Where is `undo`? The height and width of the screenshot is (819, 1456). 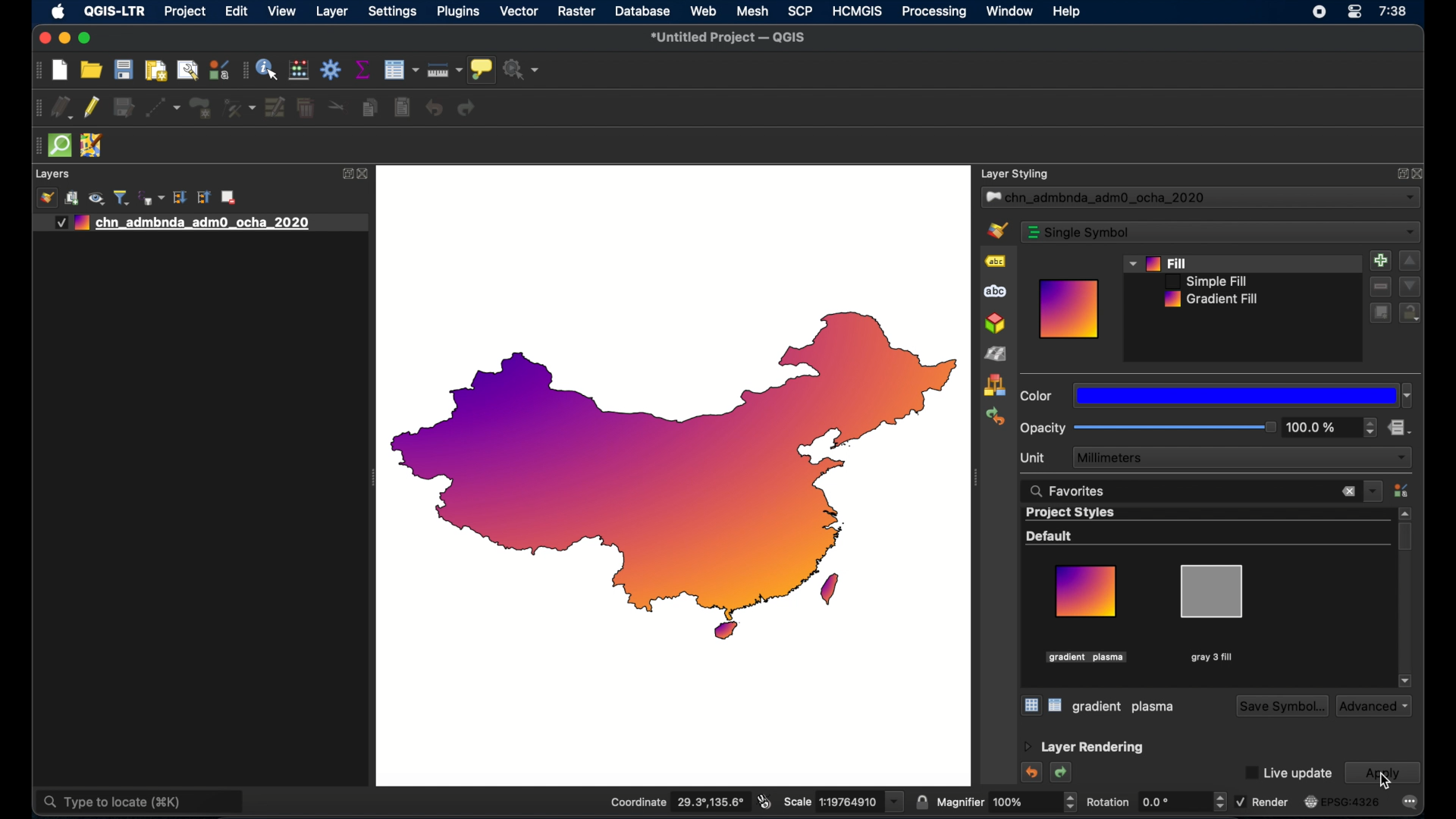 undo is located at coordinates (435, 108).